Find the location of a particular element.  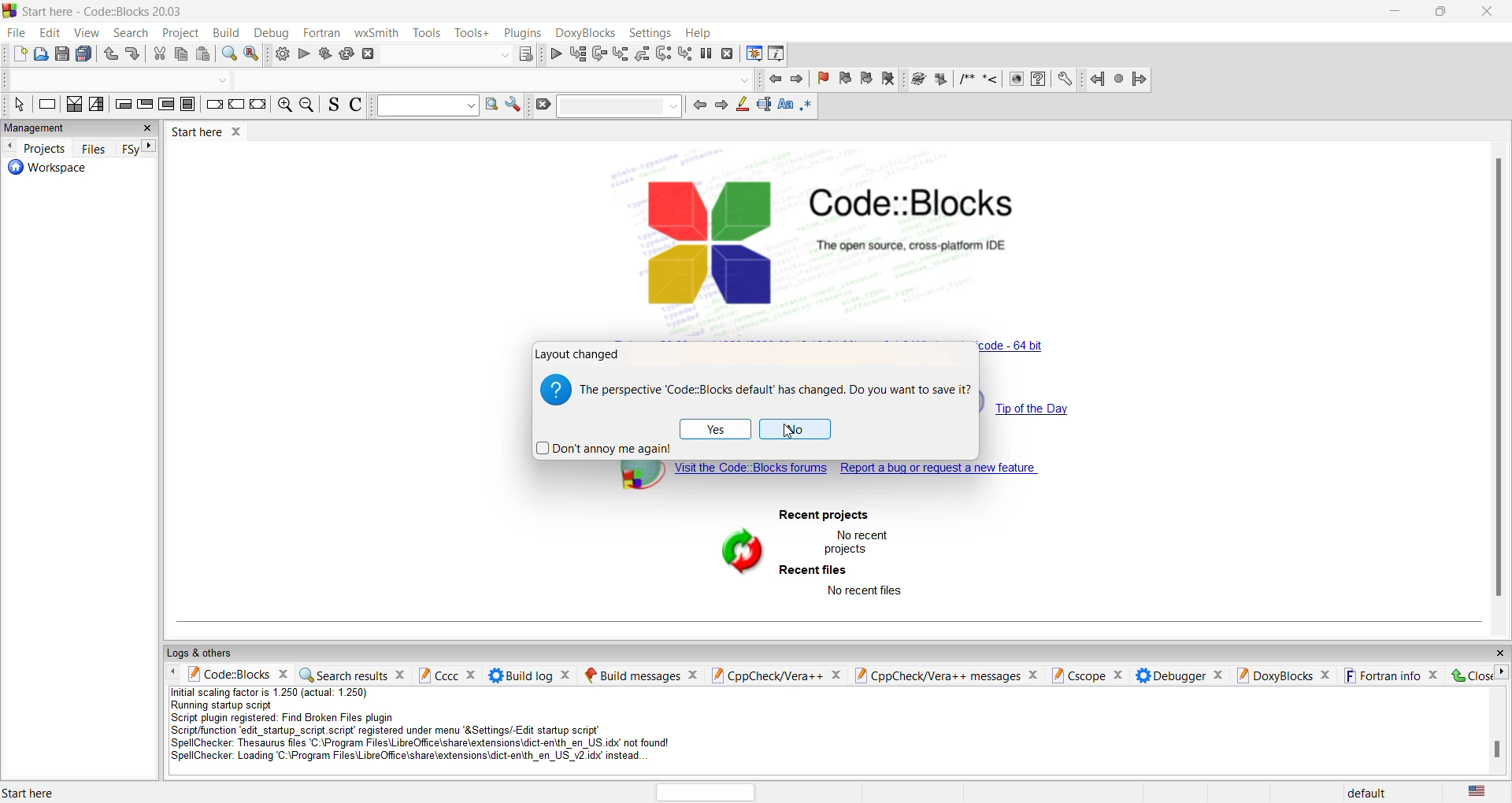

files is located at coordinates (92, 150).